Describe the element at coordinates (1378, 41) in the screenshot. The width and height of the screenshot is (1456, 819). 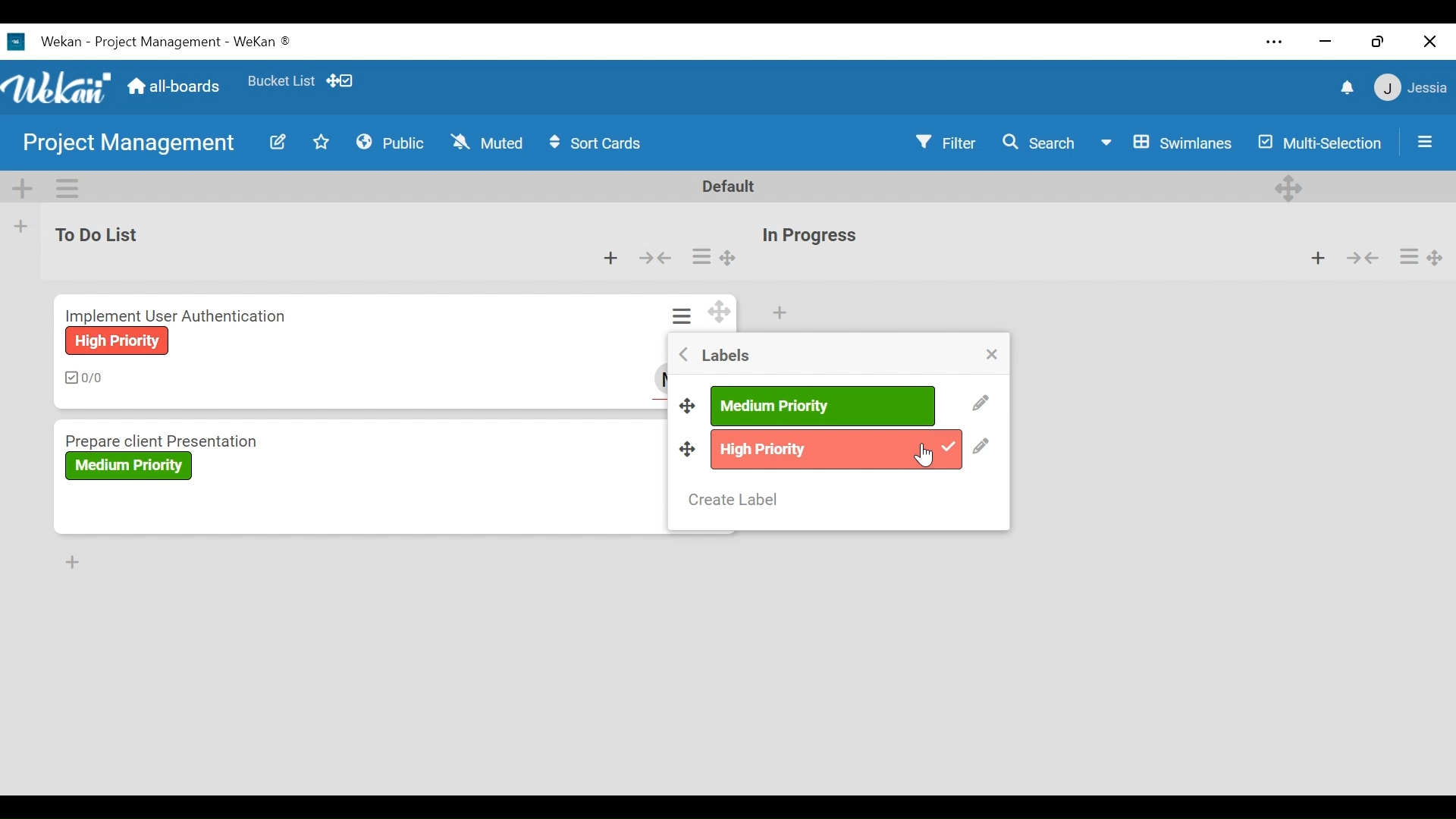
I see `restore` at that location.